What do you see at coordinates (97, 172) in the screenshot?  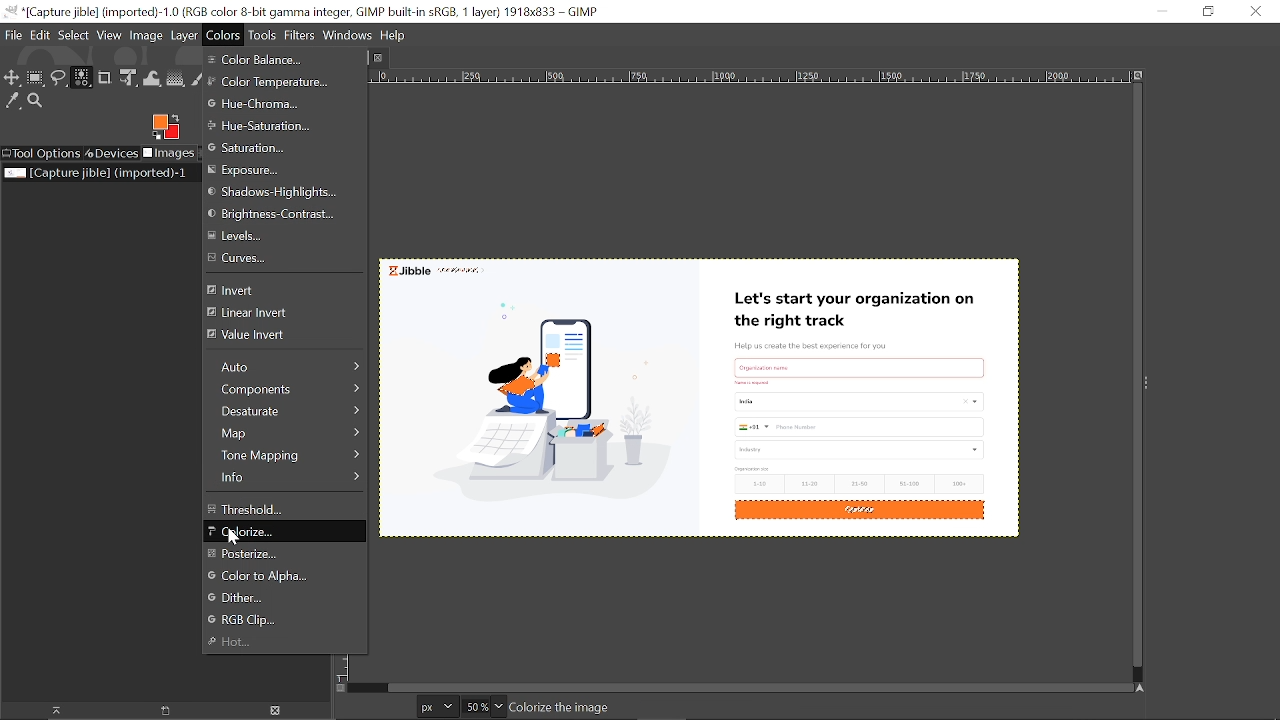 I see `Current image file` at bounding box center [97, 172].